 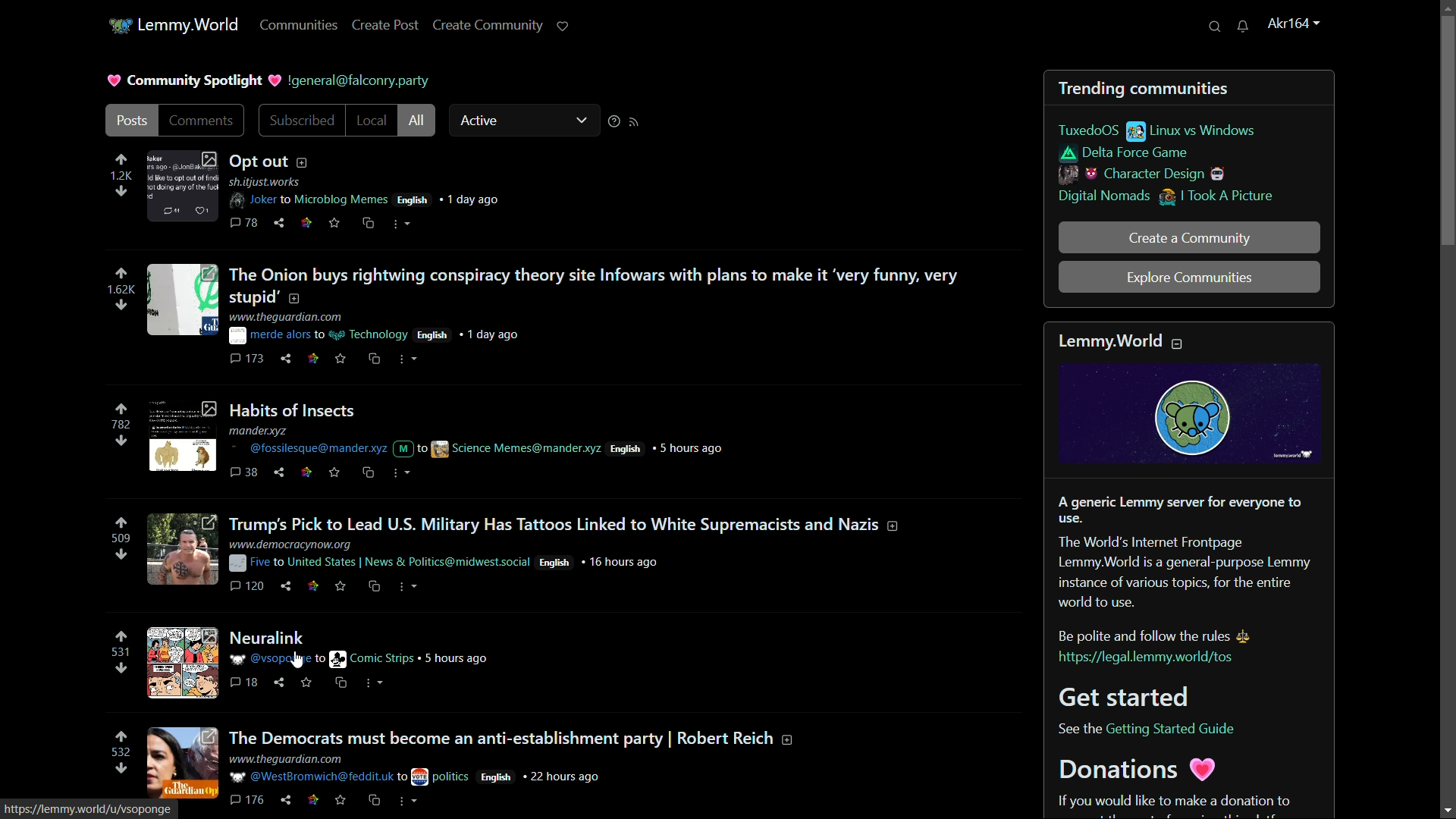 What do you see at coordinates (309, 682) in the screenshot?
I see `save` at bounding box center [309, 682].